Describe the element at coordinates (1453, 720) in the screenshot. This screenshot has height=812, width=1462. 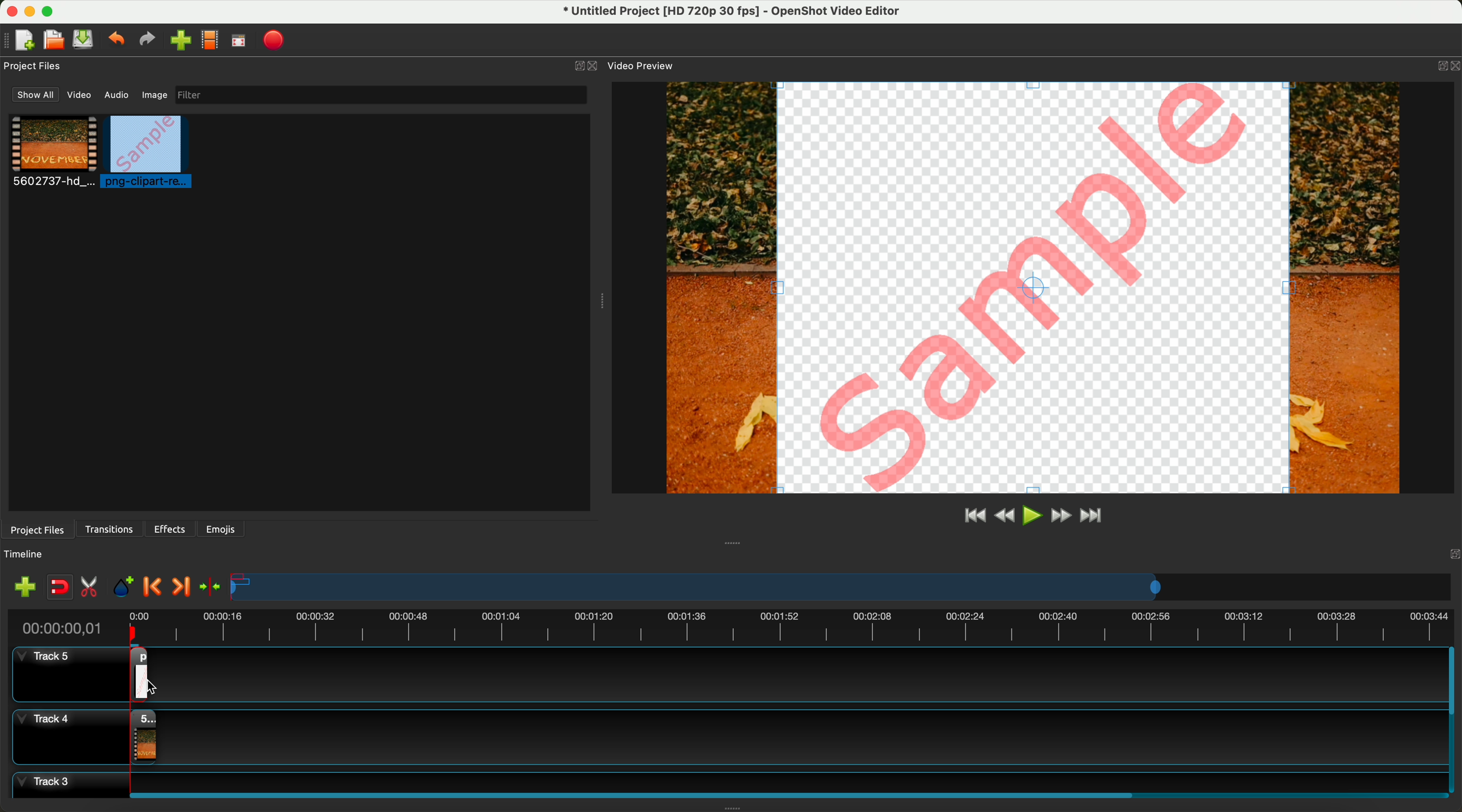
I see `scroll bar` at that location.